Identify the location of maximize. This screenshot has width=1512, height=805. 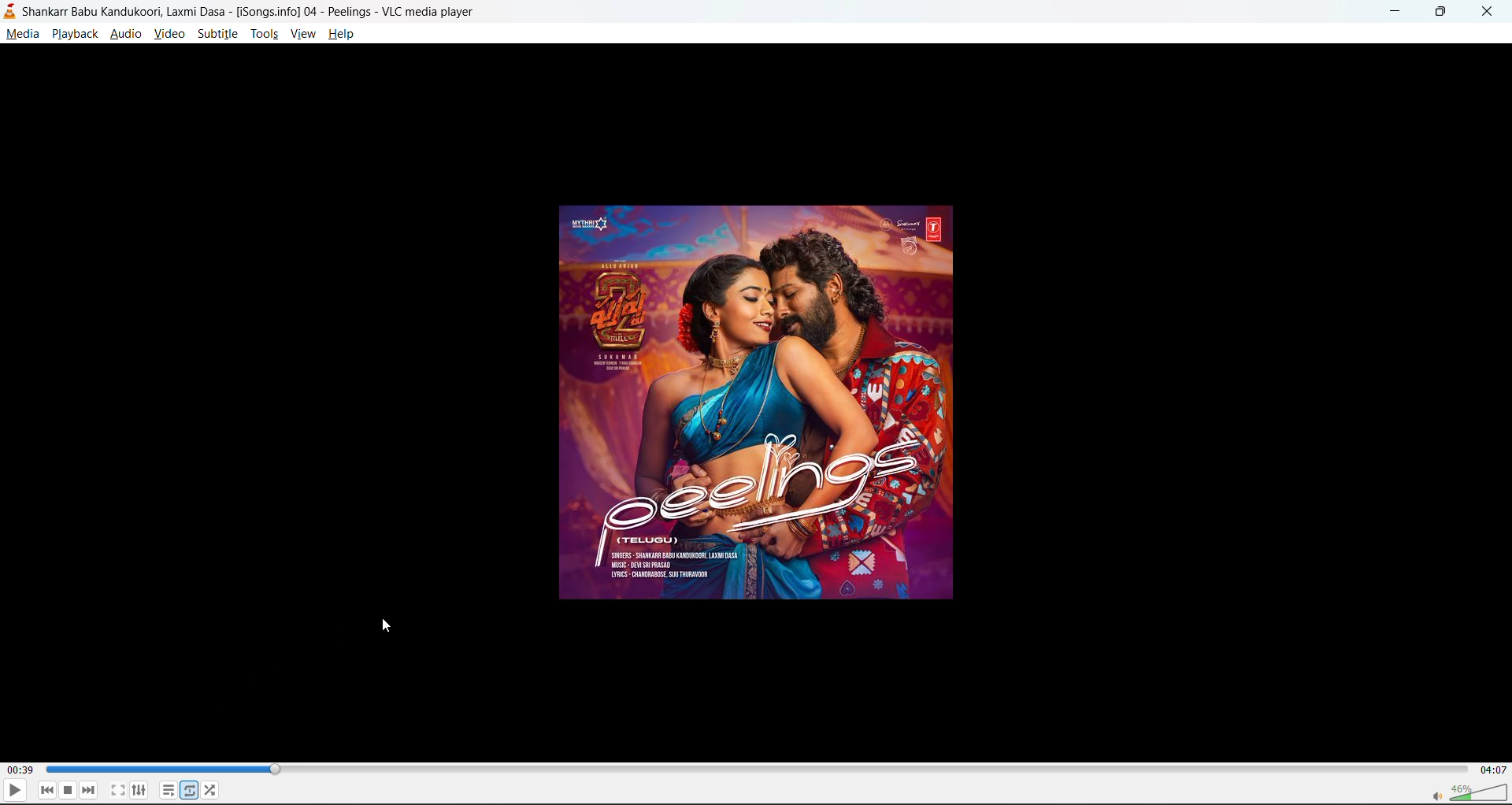
(1441, 13).